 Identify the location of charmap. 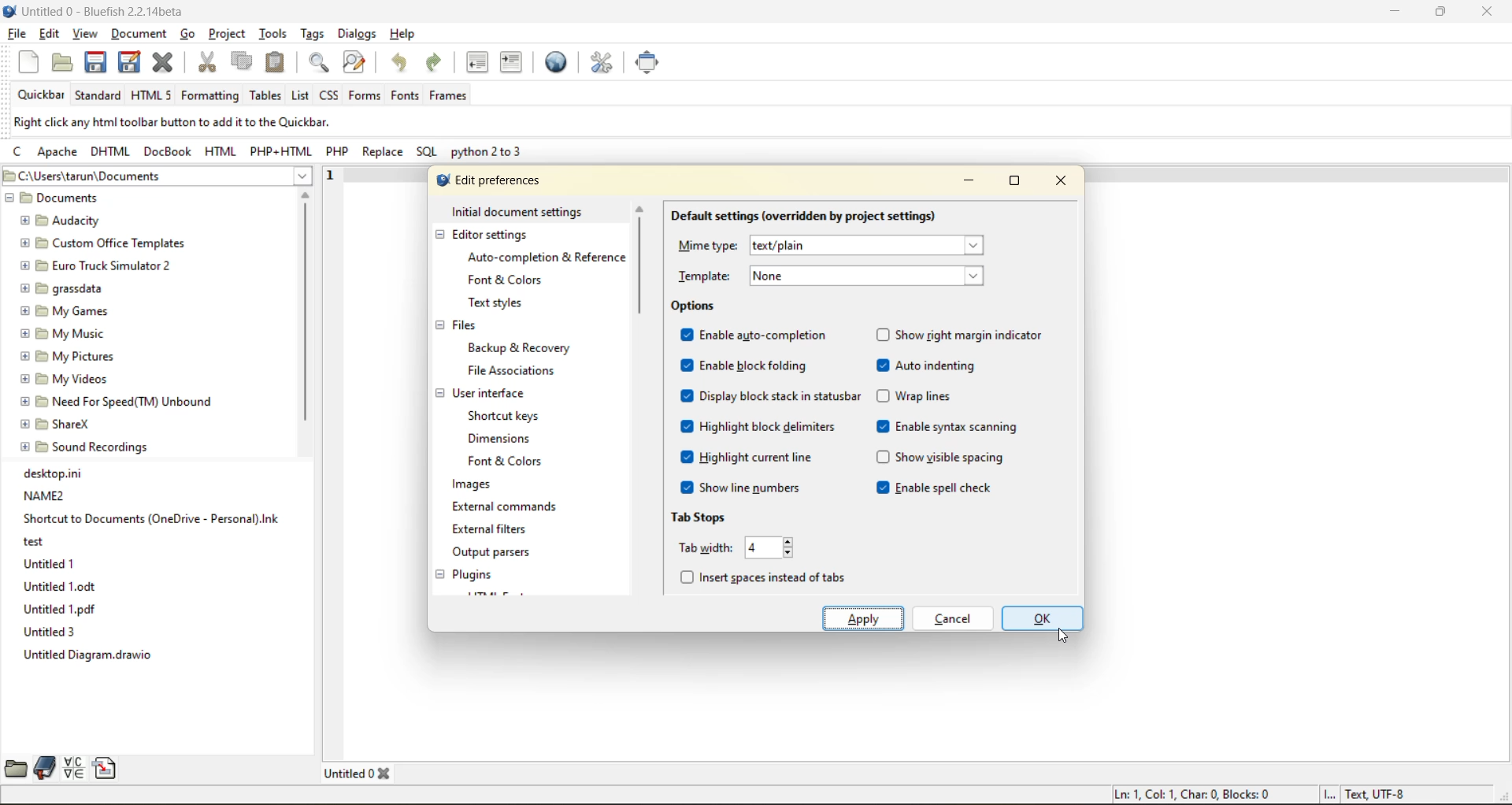
(74, 768).